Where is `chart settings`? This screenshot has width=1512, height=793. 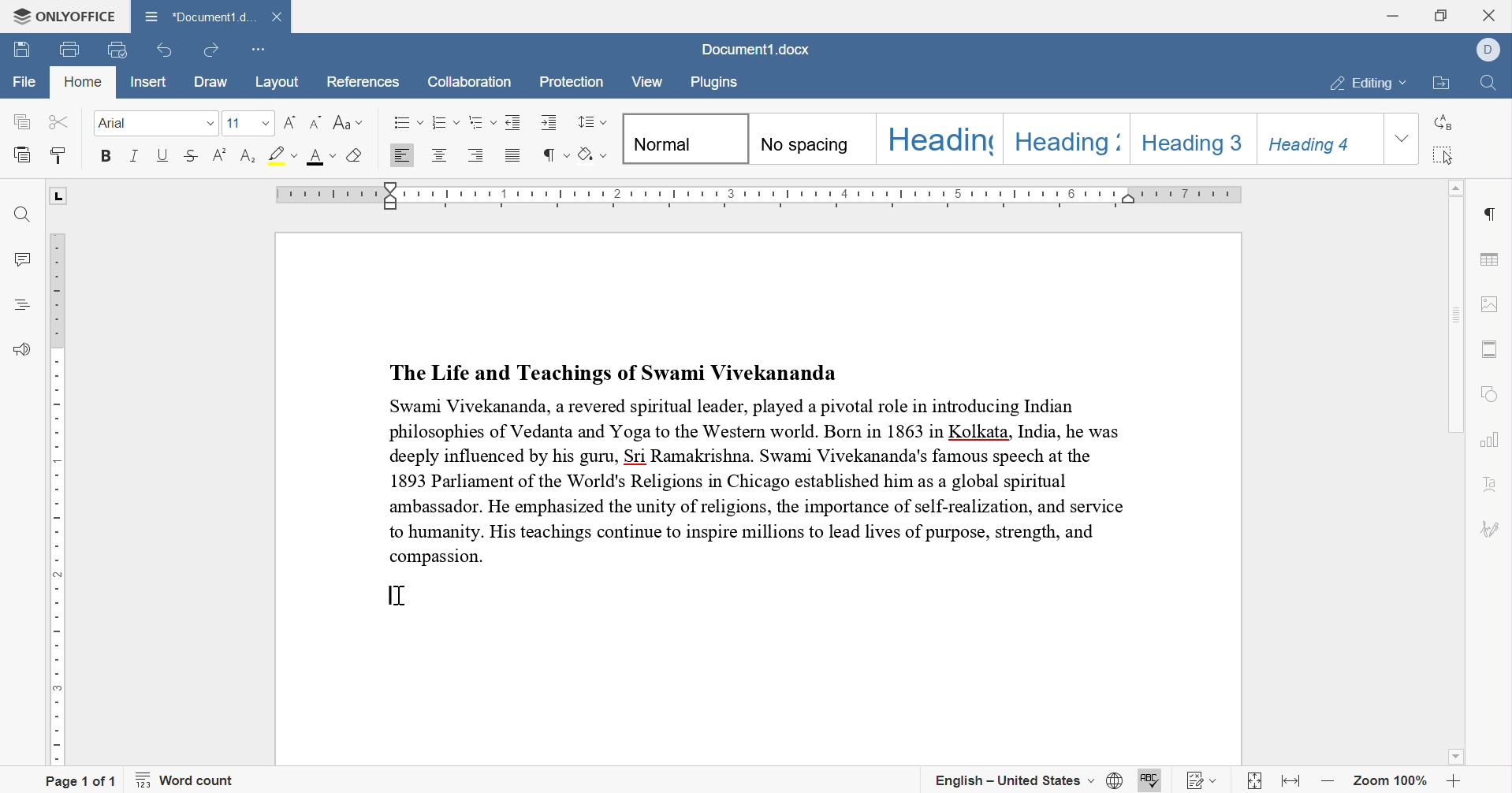 chart settings is located at coordinates (1491, 440).